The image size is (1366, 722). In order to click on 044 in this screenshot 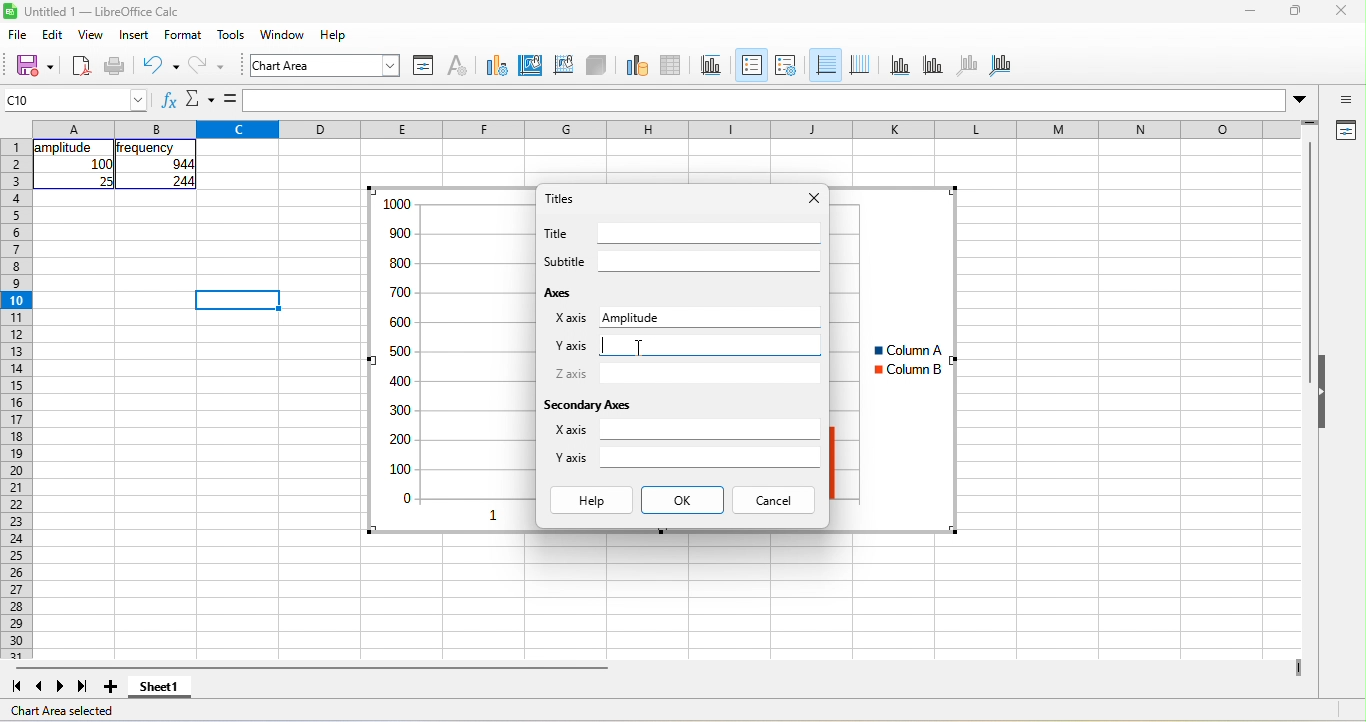, I will do `click(183, 164)`.